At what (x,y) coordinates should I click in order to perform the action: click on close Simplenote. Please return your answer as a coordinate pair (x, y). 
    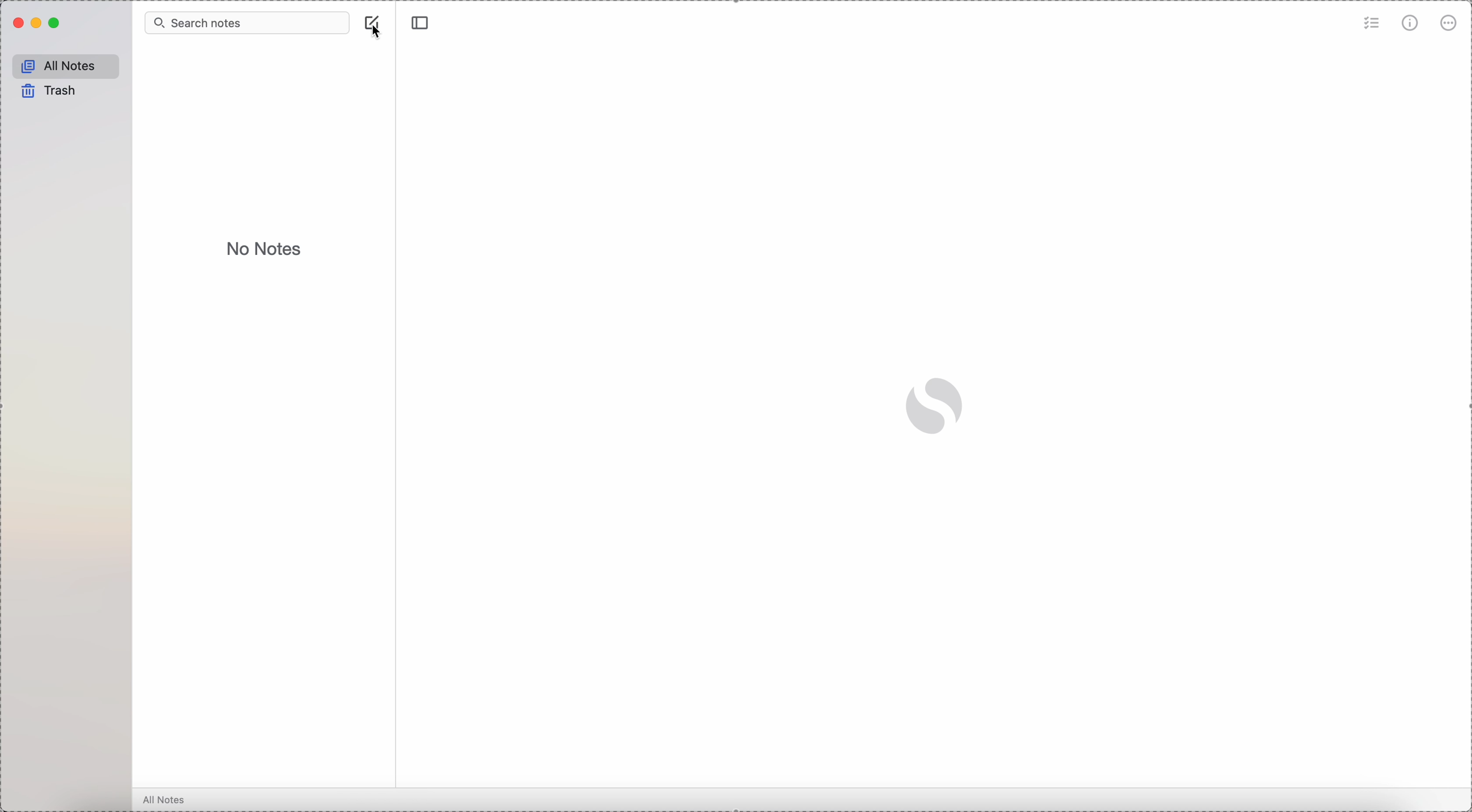
    Looking at the image, I should click on (18, 23).